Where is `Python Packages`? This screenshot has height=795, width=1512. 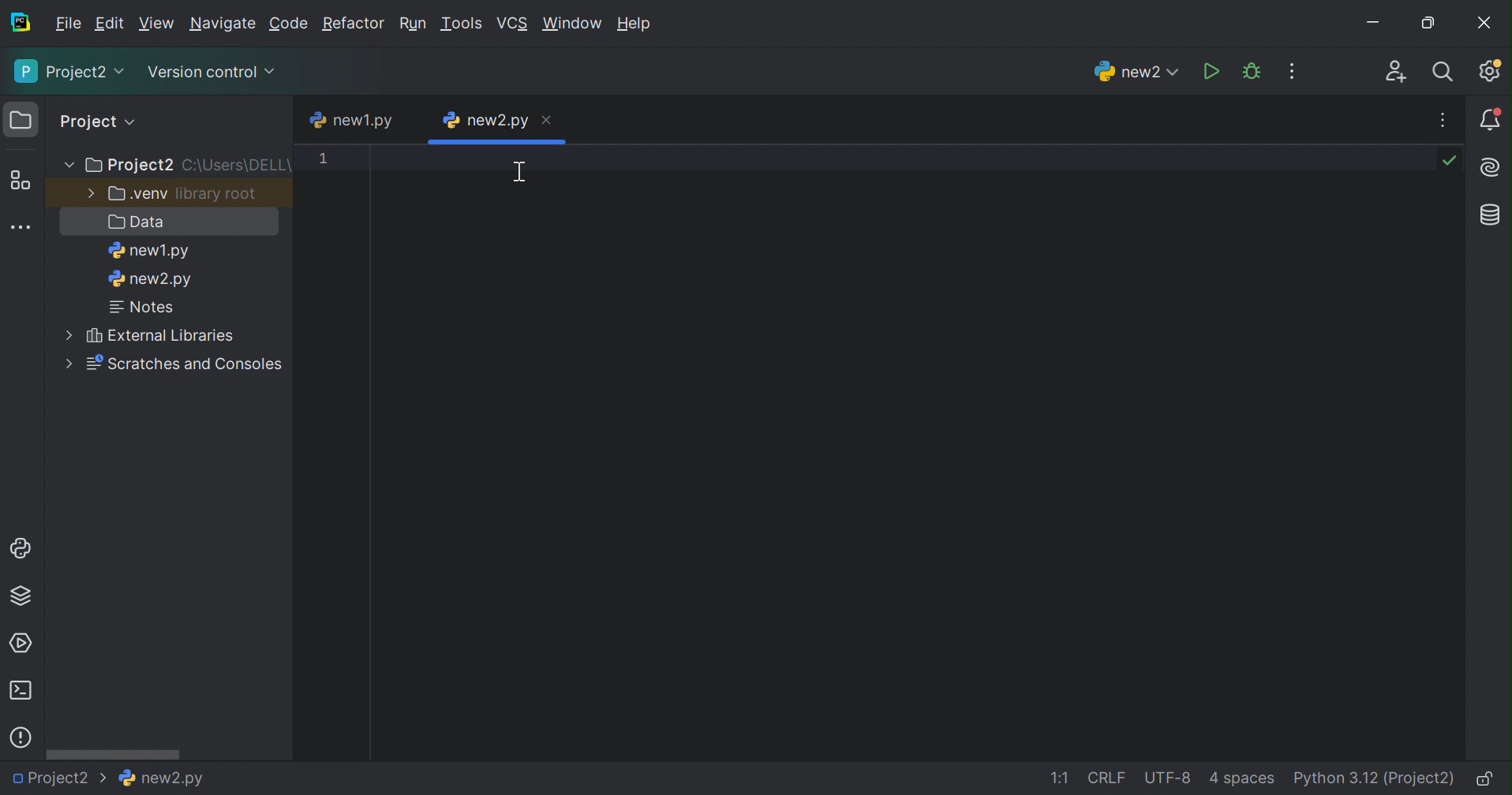
Python Packages is located at coordinates (24, 599).